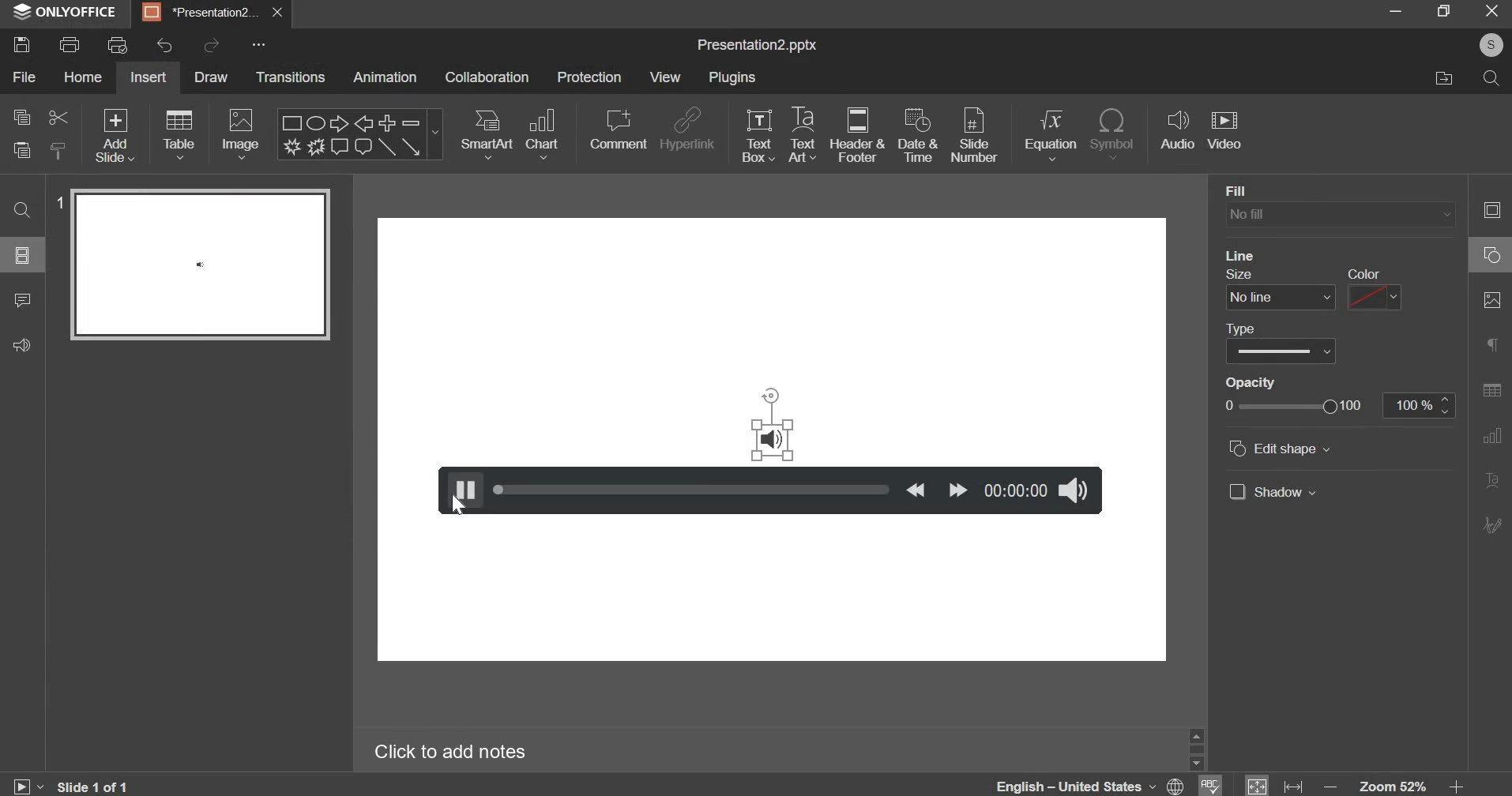 The image size is (1512, 796). Describe the element at coordinates (257, 44) in the screenshot. I see `customize quick access` at that location.